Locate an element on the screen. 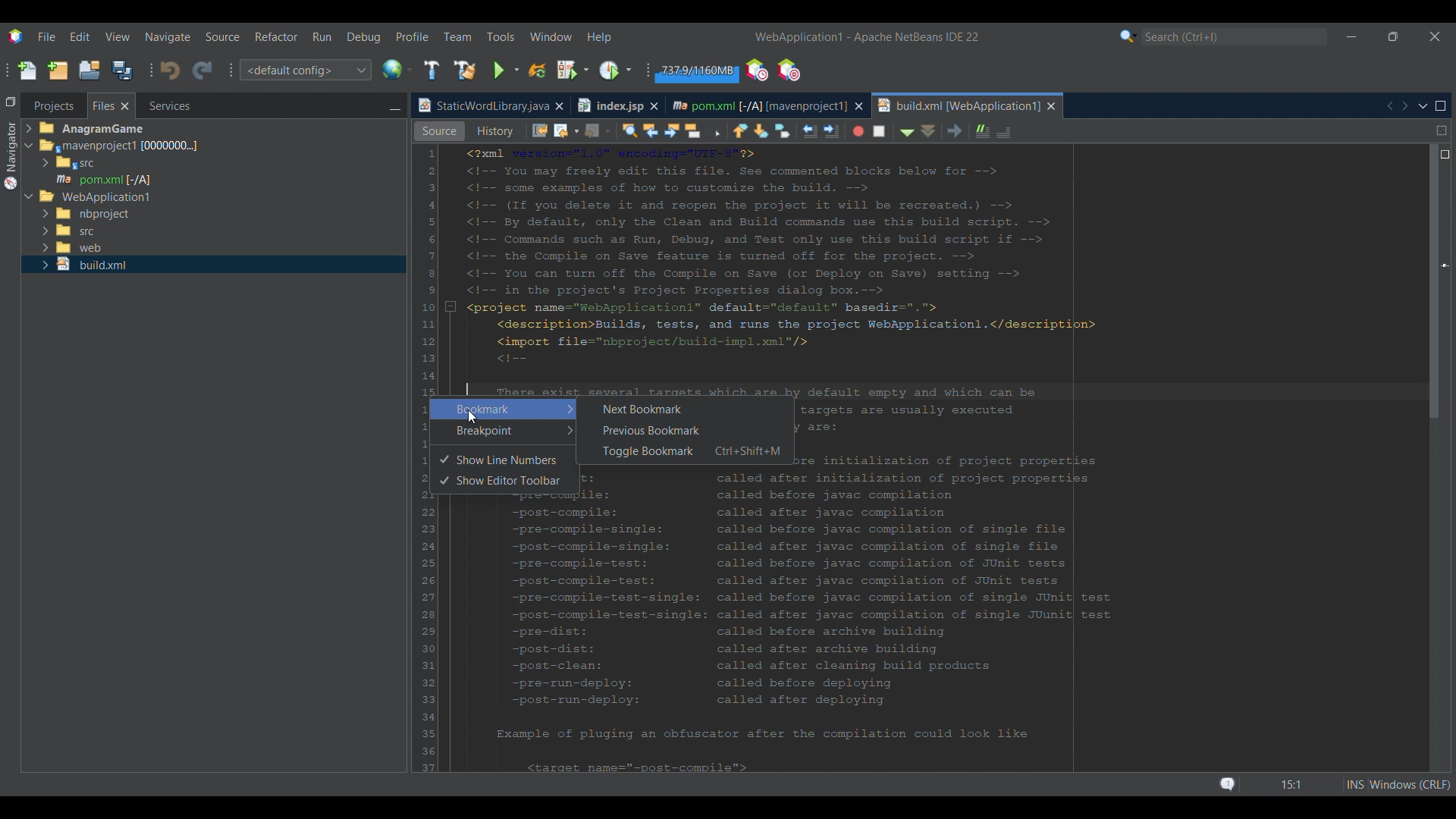  Search category selection is located at coordinates (1128, 36).